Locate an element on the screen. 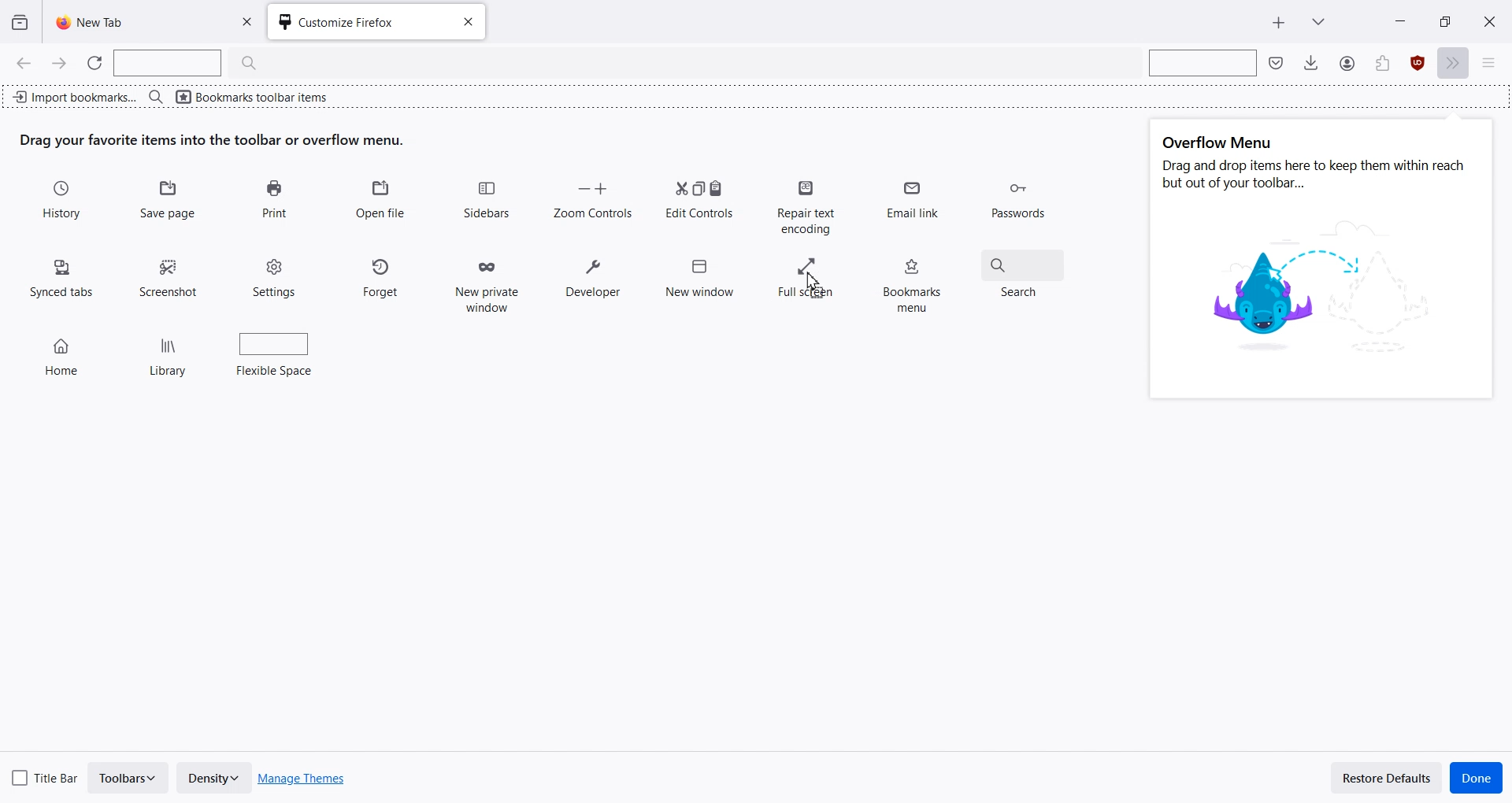 This screenshot has width=1512, height=803. Close is located at coordinates (1489, 20).